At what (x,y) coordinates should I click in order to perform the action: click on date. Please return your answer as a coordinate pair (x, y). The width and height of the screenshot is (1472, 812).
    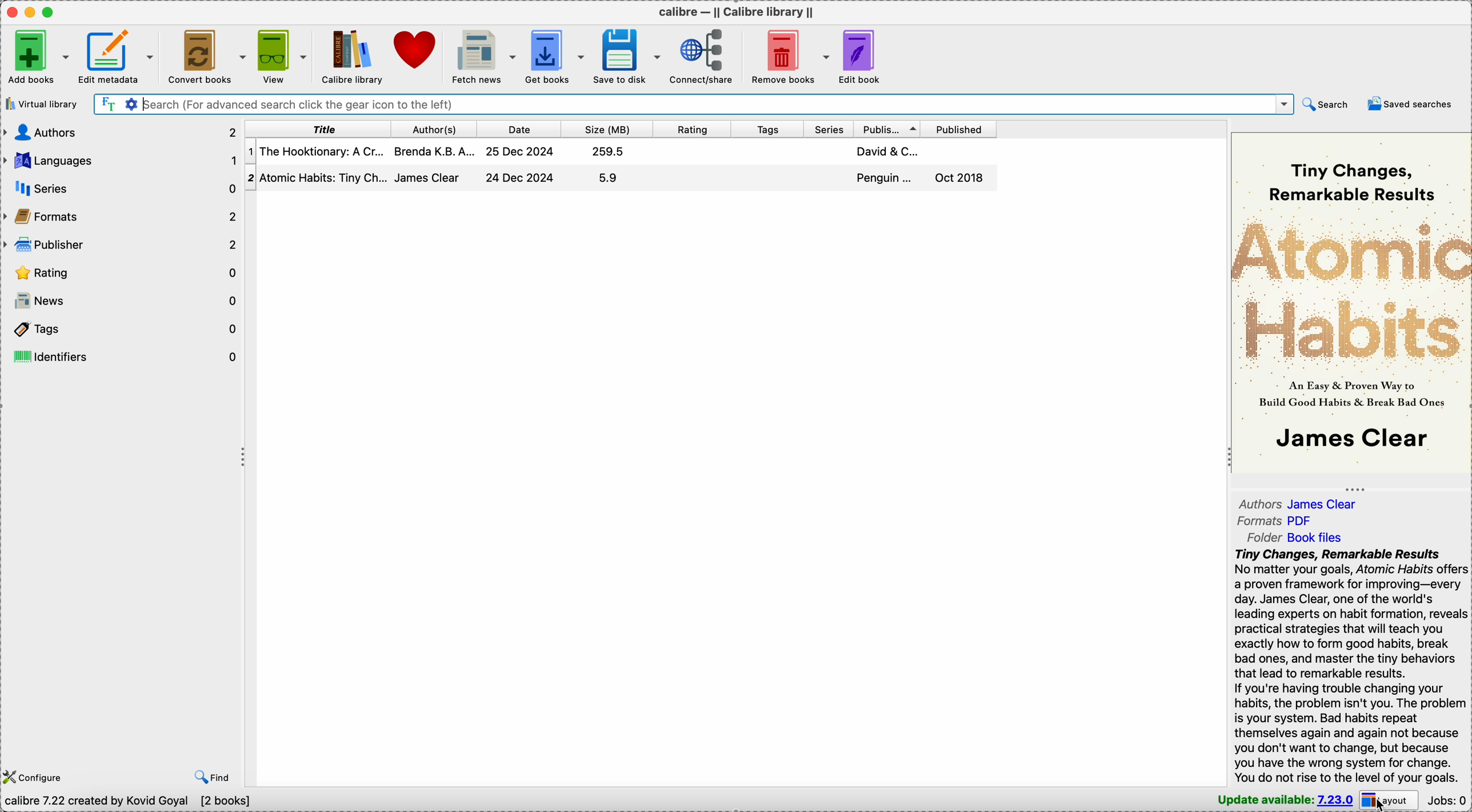
    Looking at the image, I should click on (520, 129).